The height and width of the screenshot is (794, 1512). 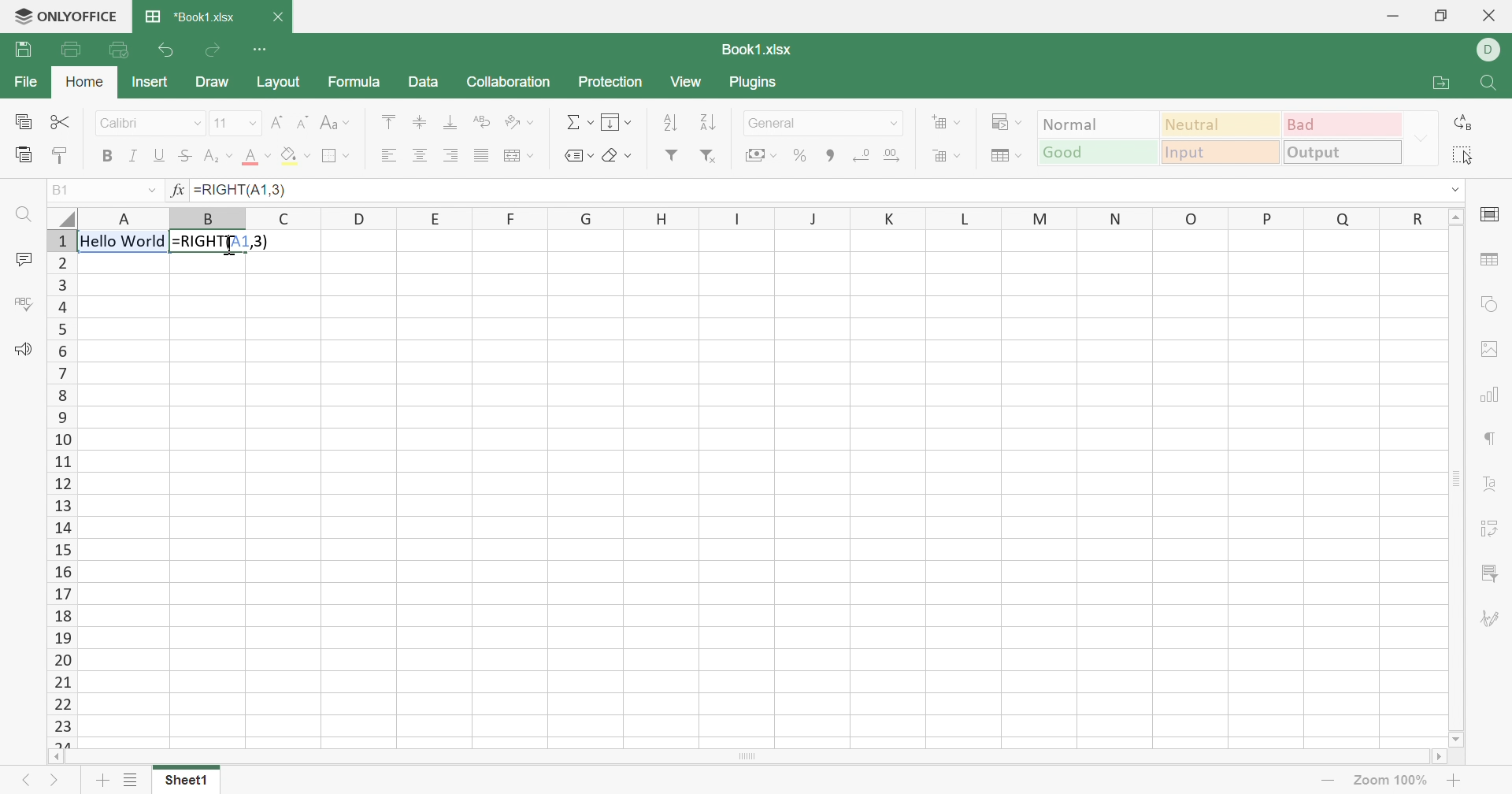 I want to click on Minimize, so click(x=1392, y=15).